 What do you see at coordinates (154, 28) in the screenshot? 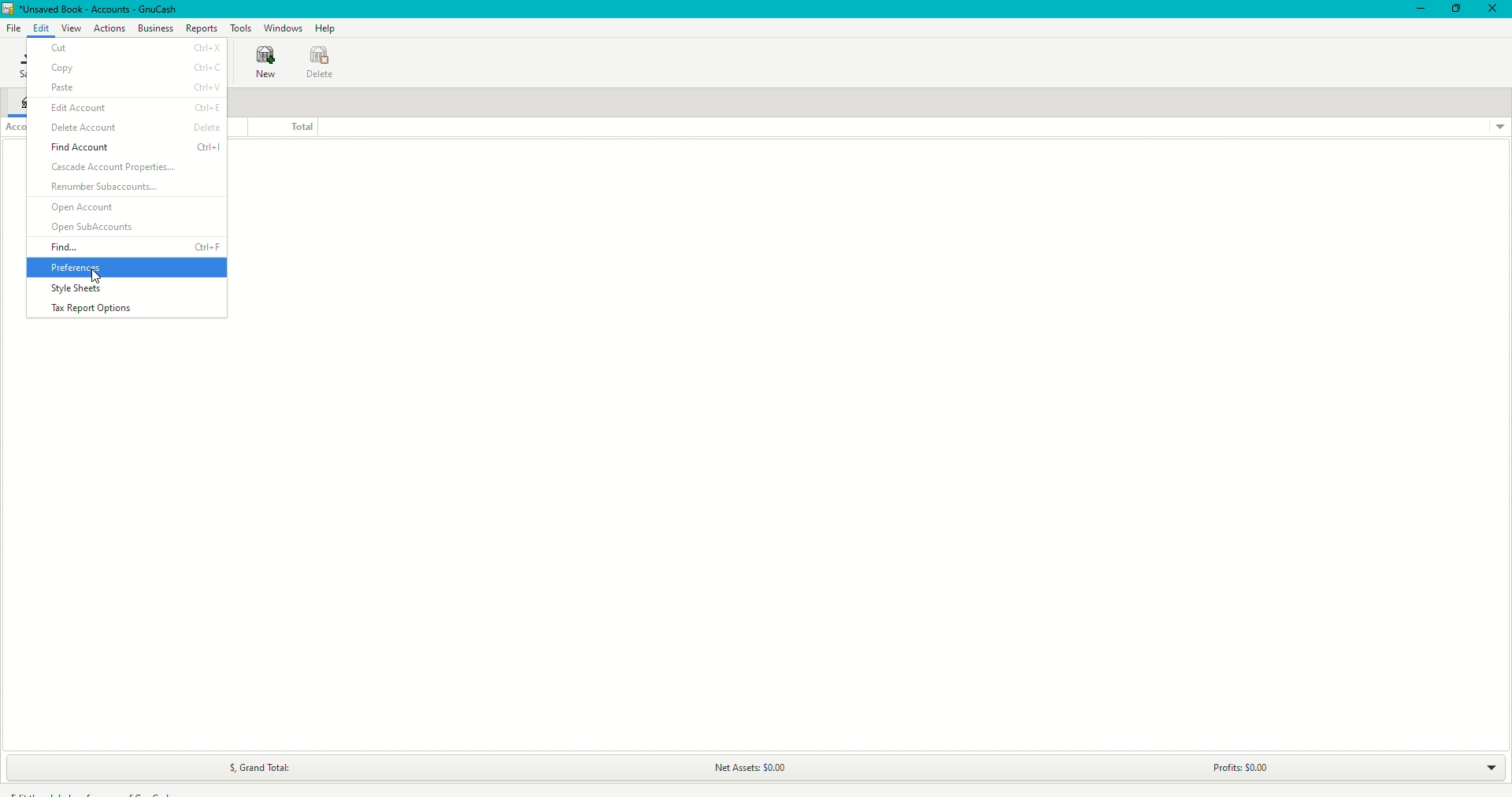
I see `Business` at bounding box center [154, 28].